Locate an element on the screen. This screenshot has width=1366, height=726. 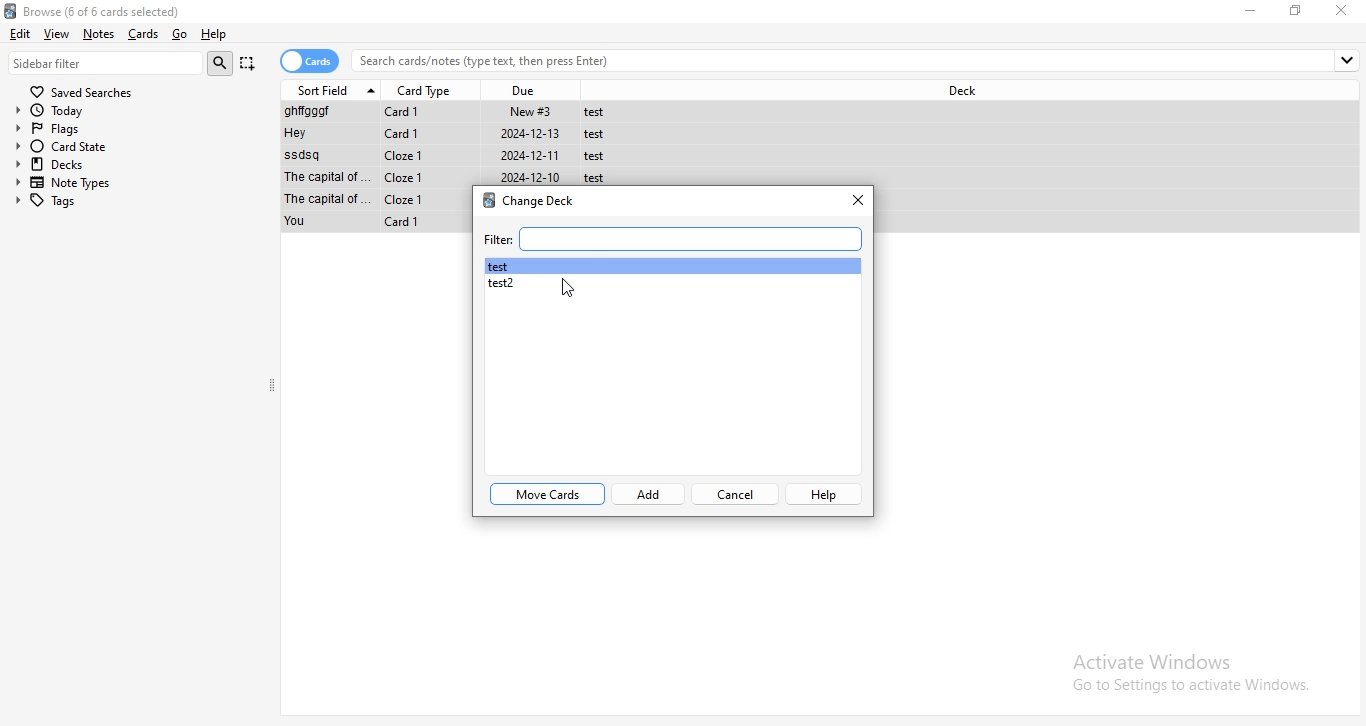
filter is located at coordinates (670, 238).